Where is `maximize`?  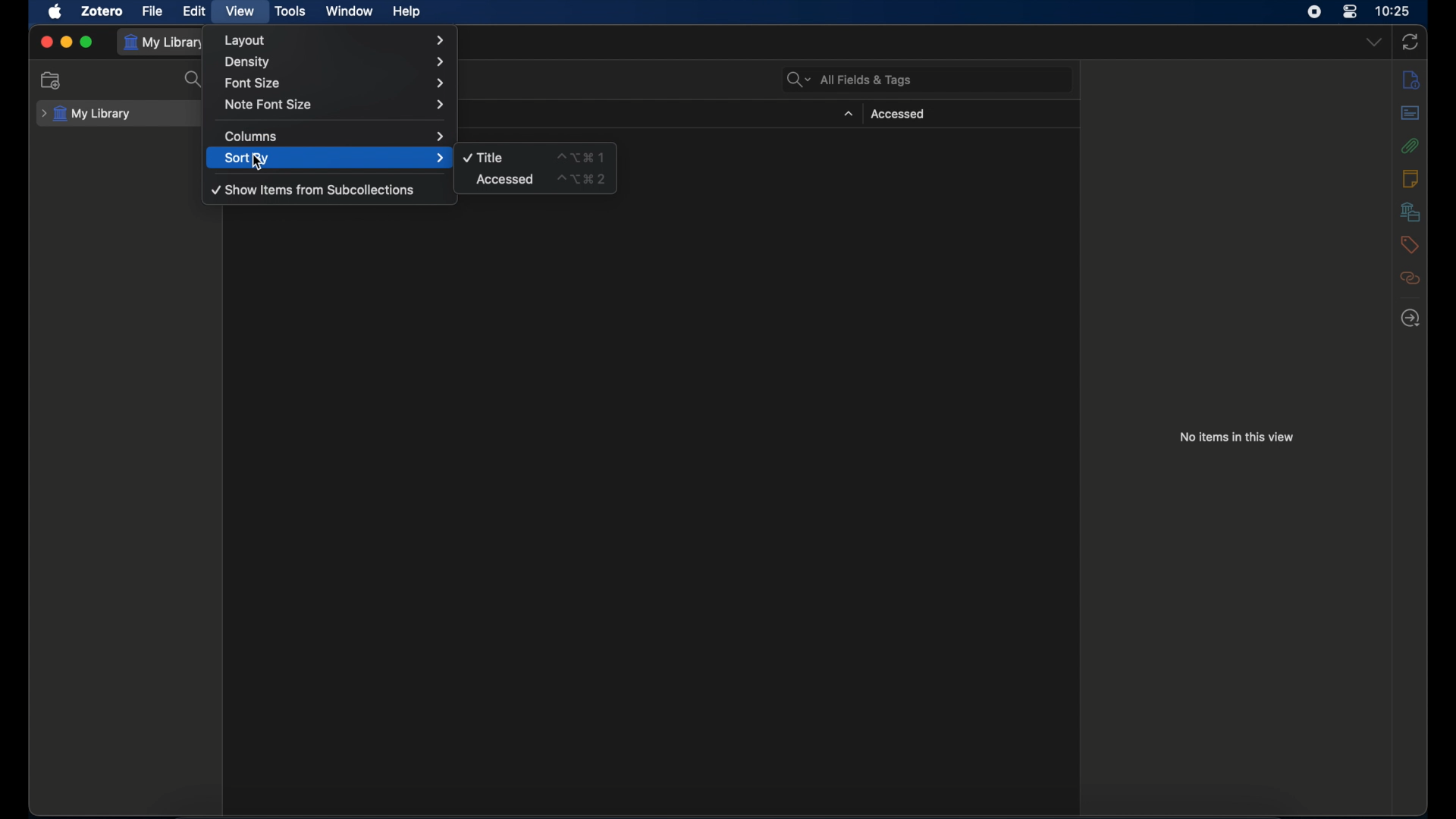
maximize is located at coordinates (87, 42).